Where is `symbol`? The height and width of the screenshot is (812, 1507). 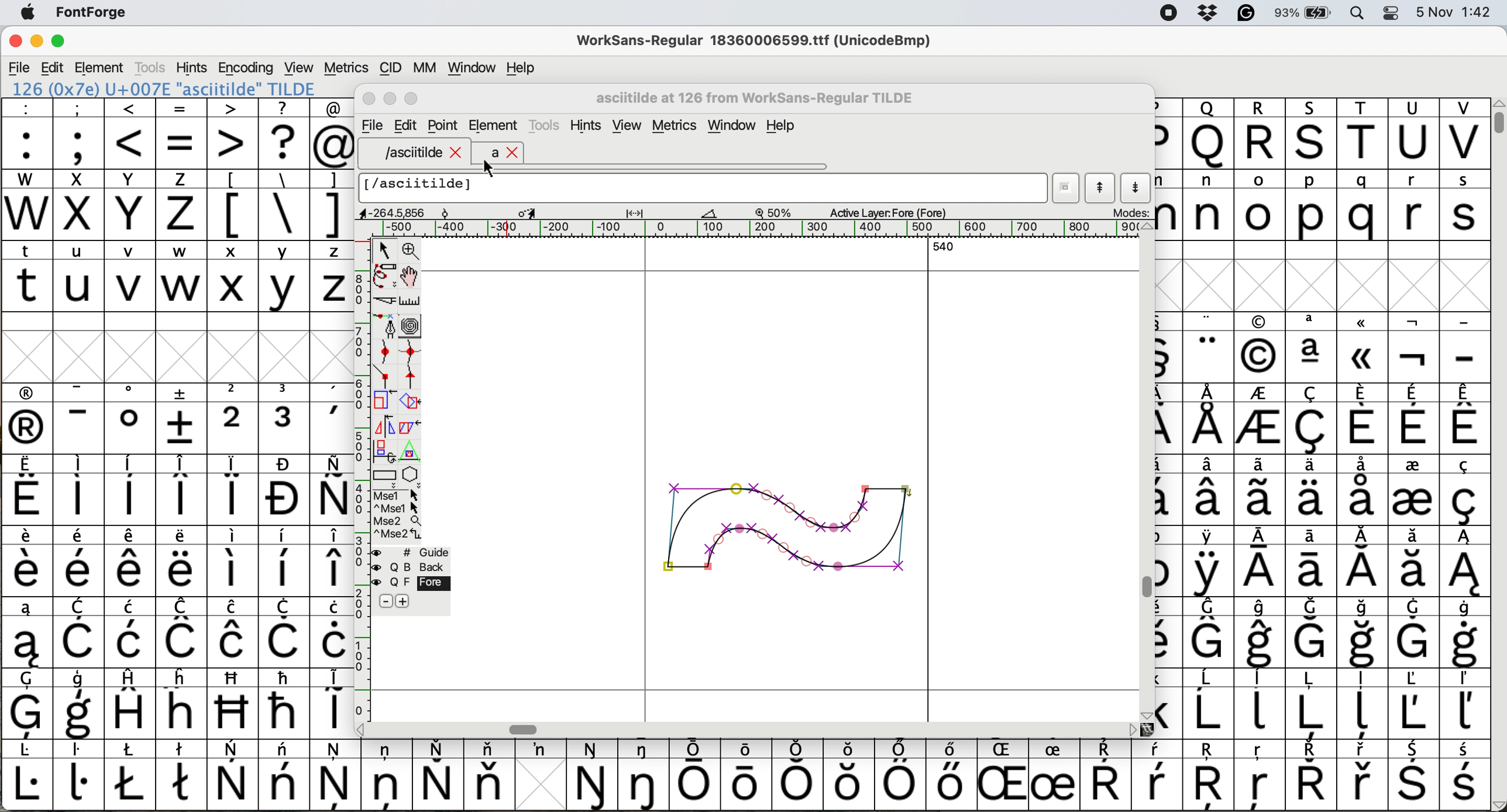 symbol is located at coordinates (132, 562).